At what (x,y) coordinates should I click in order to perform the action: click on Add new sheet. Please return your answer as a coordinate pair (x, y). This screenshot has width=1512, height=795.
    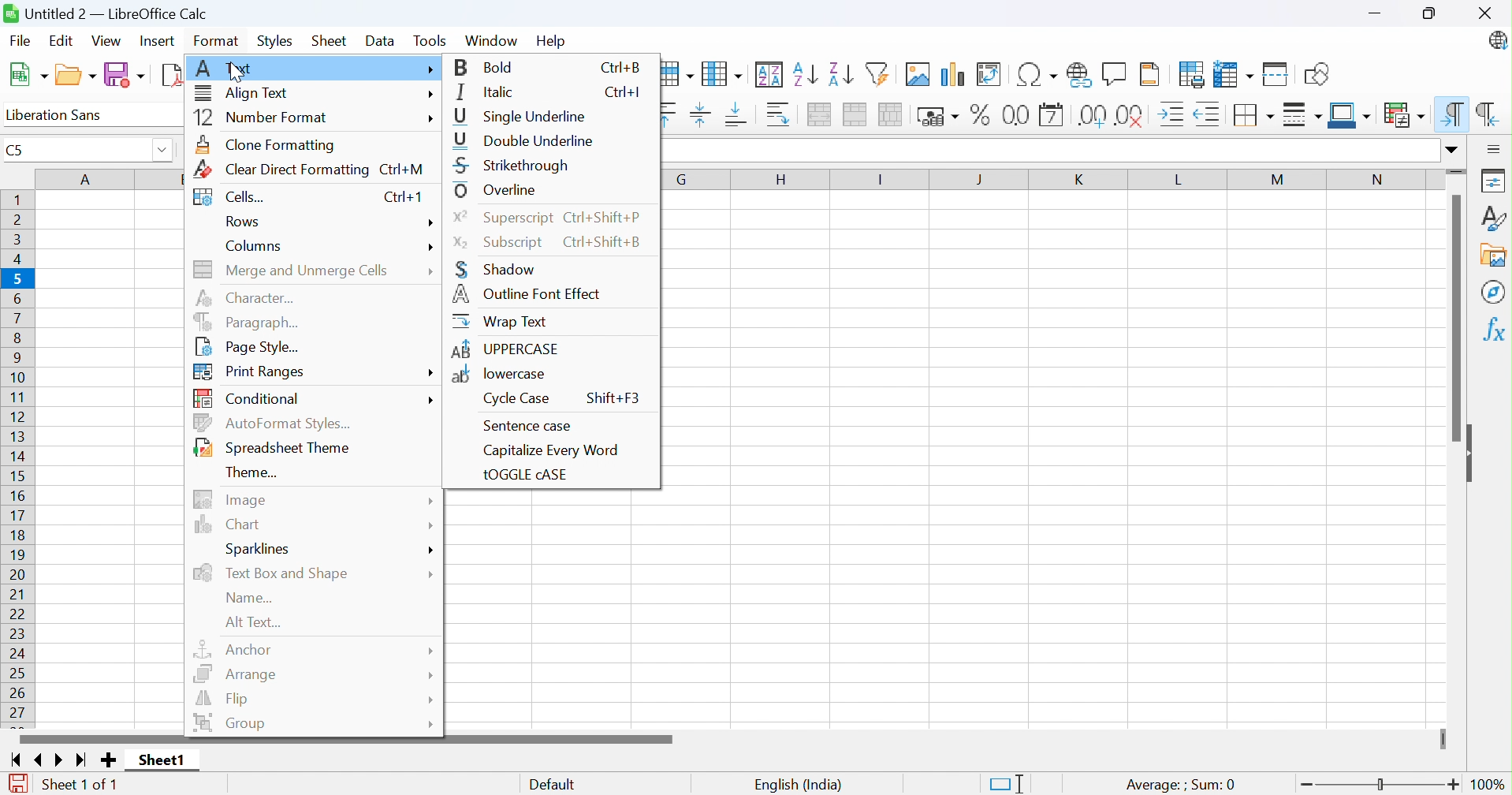
    Looking at the image, I should click on (109, 760).